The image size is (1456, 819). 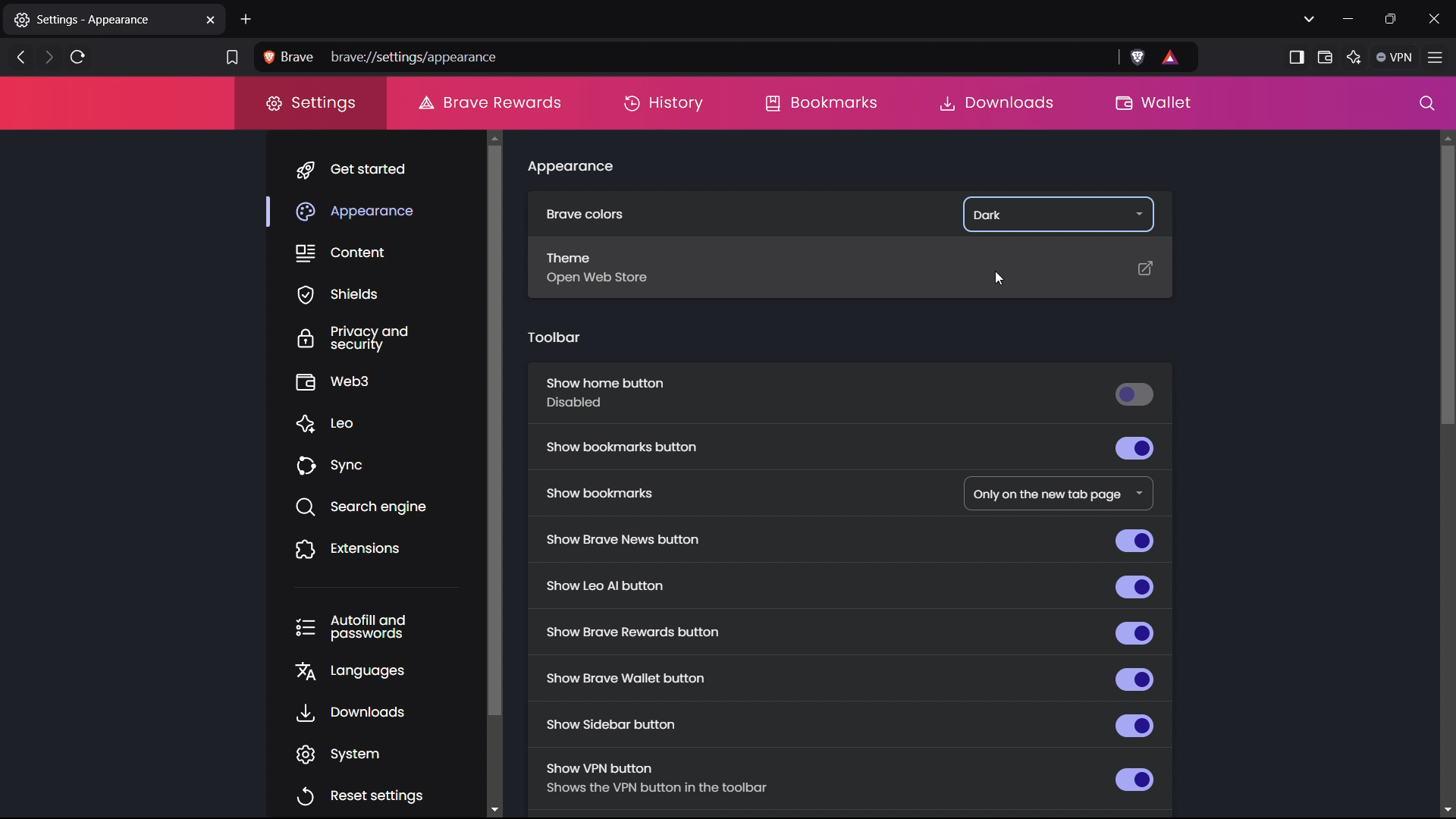 What do you see at coordinates (849, 541) in the screenshot?
I see `show brave news button` at bounding box center [849, 541].